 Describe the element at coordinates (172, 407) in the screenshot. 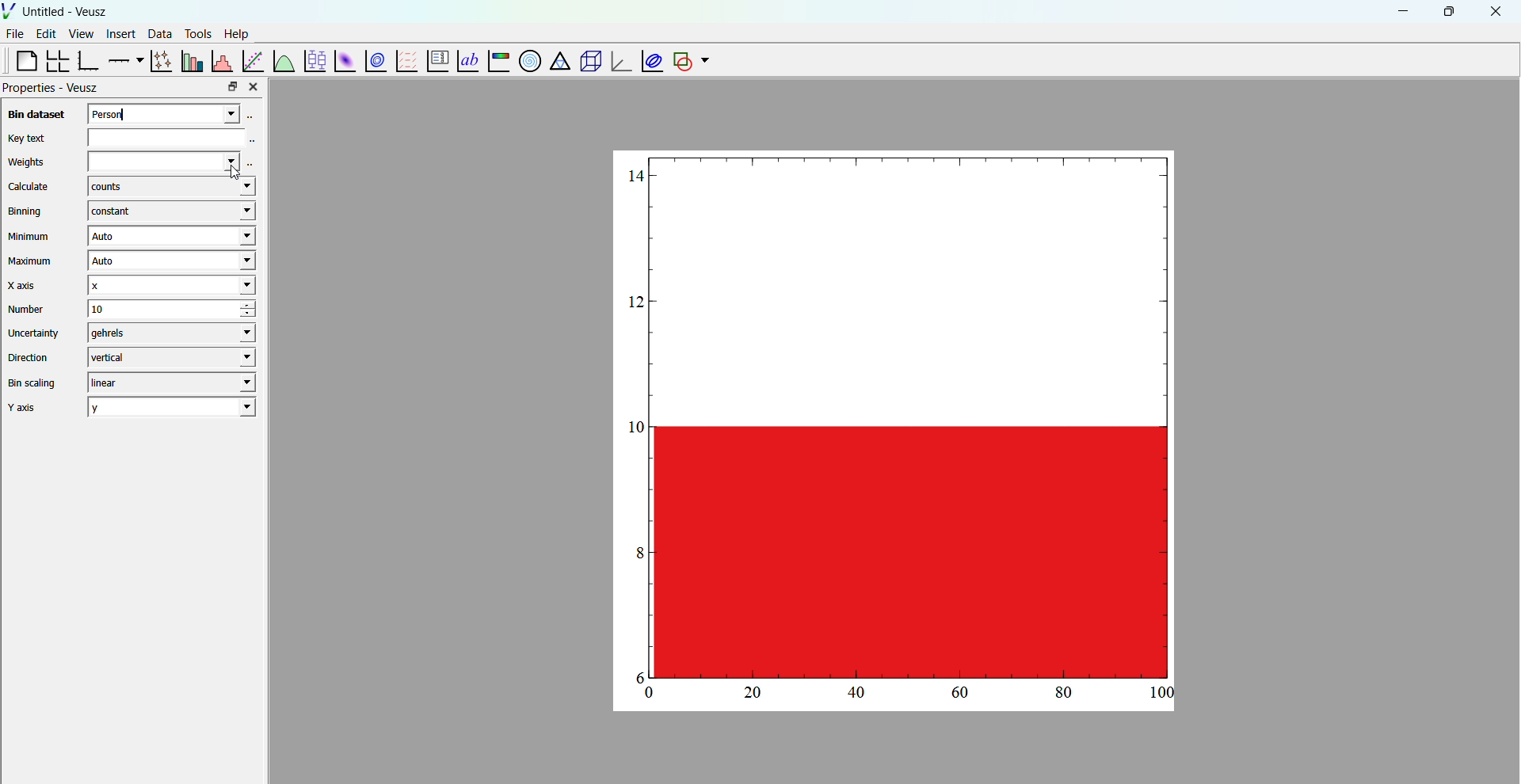

I see `y - y axis drop down` at that location.